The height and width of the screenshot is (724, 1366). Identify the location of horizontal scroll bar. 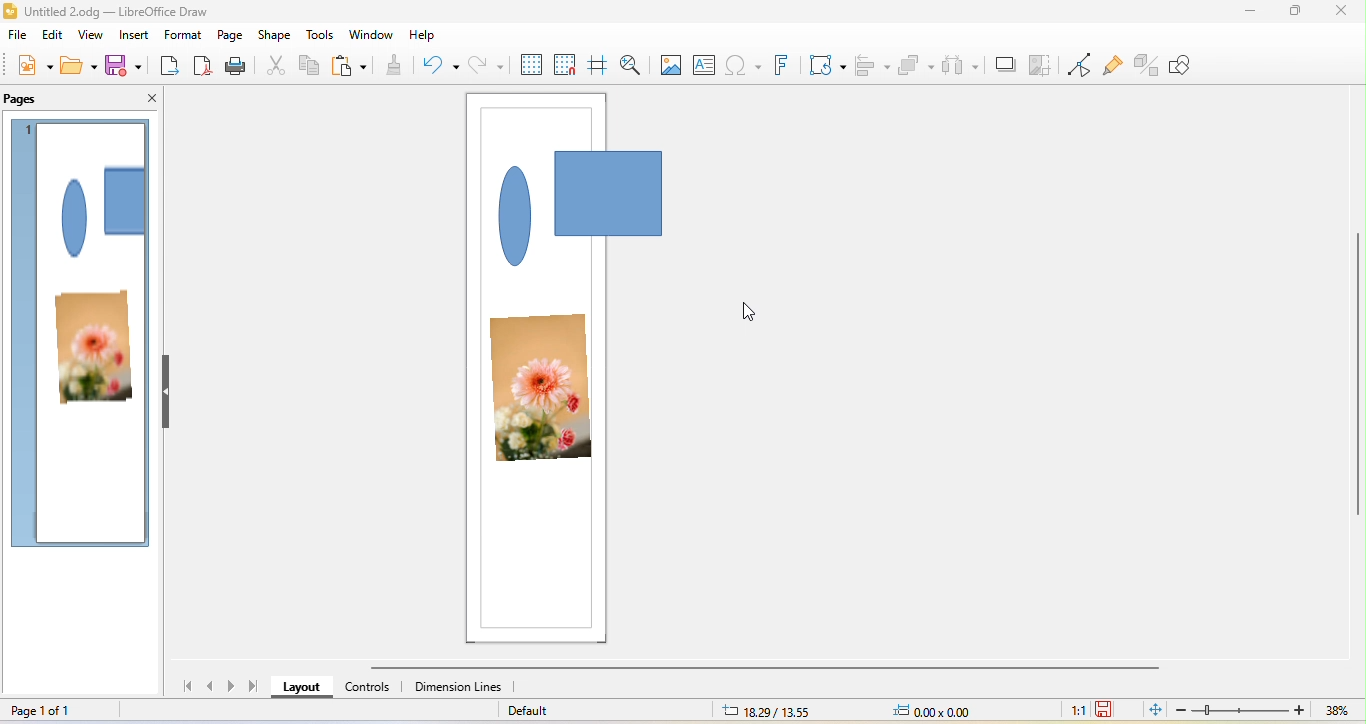
(764, 669).